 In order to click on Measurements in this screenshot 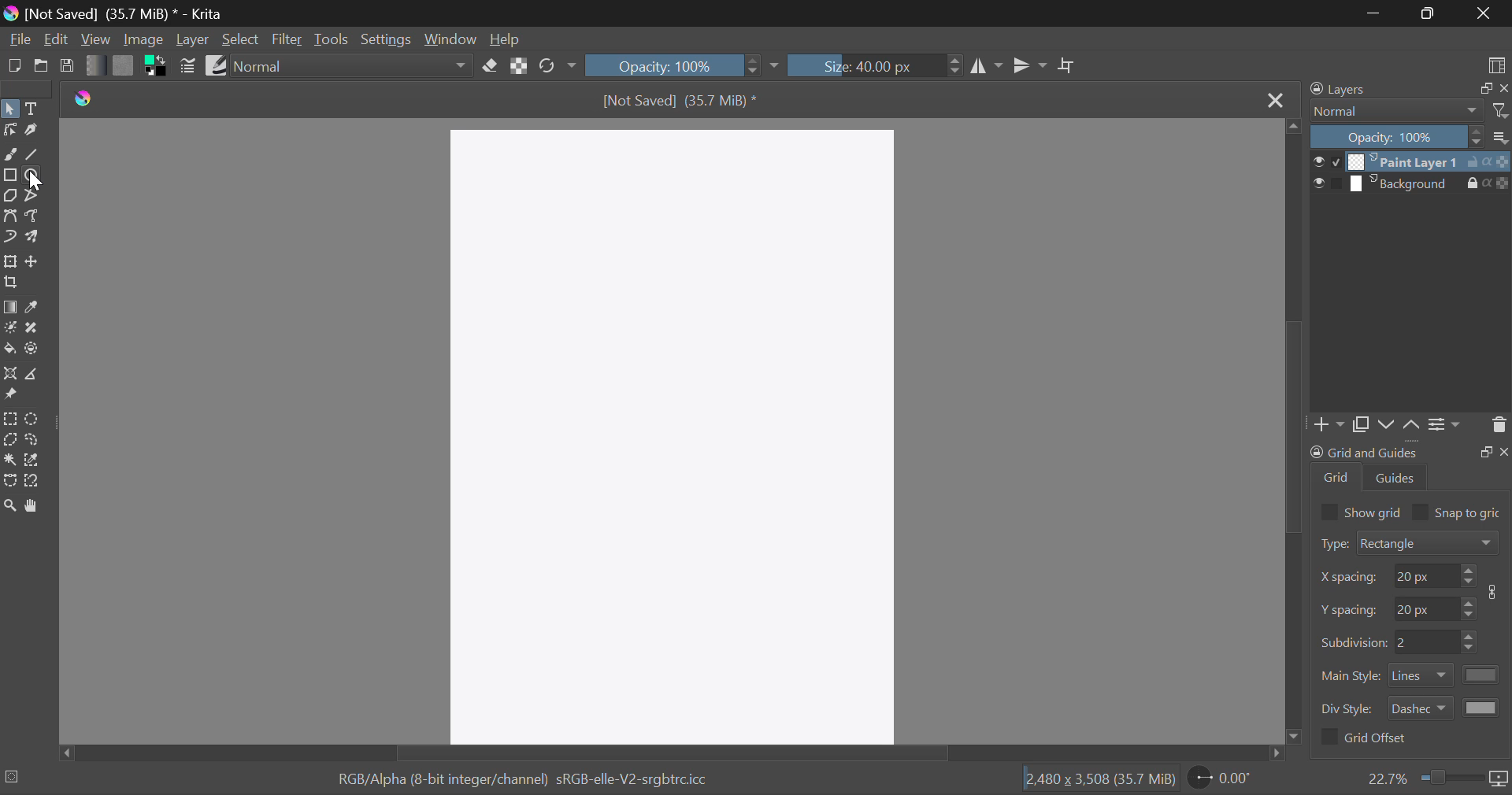, I will do `click(34, 373)`.